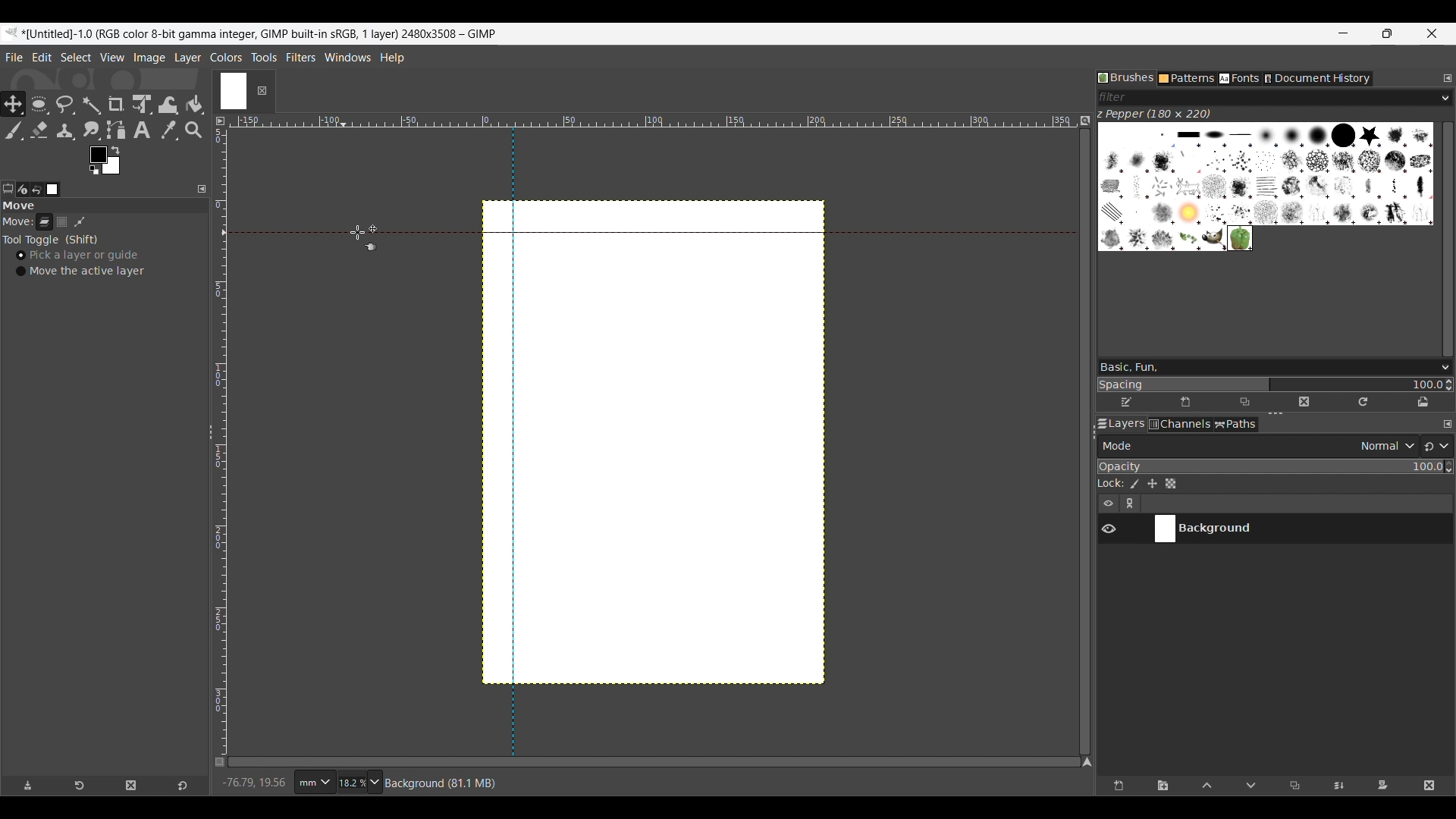 This screenshot has width=1456, height=819. Describe the element at coordinates (1294, 786) in the screenshot. I see `Duplicate selected layer` at that location.